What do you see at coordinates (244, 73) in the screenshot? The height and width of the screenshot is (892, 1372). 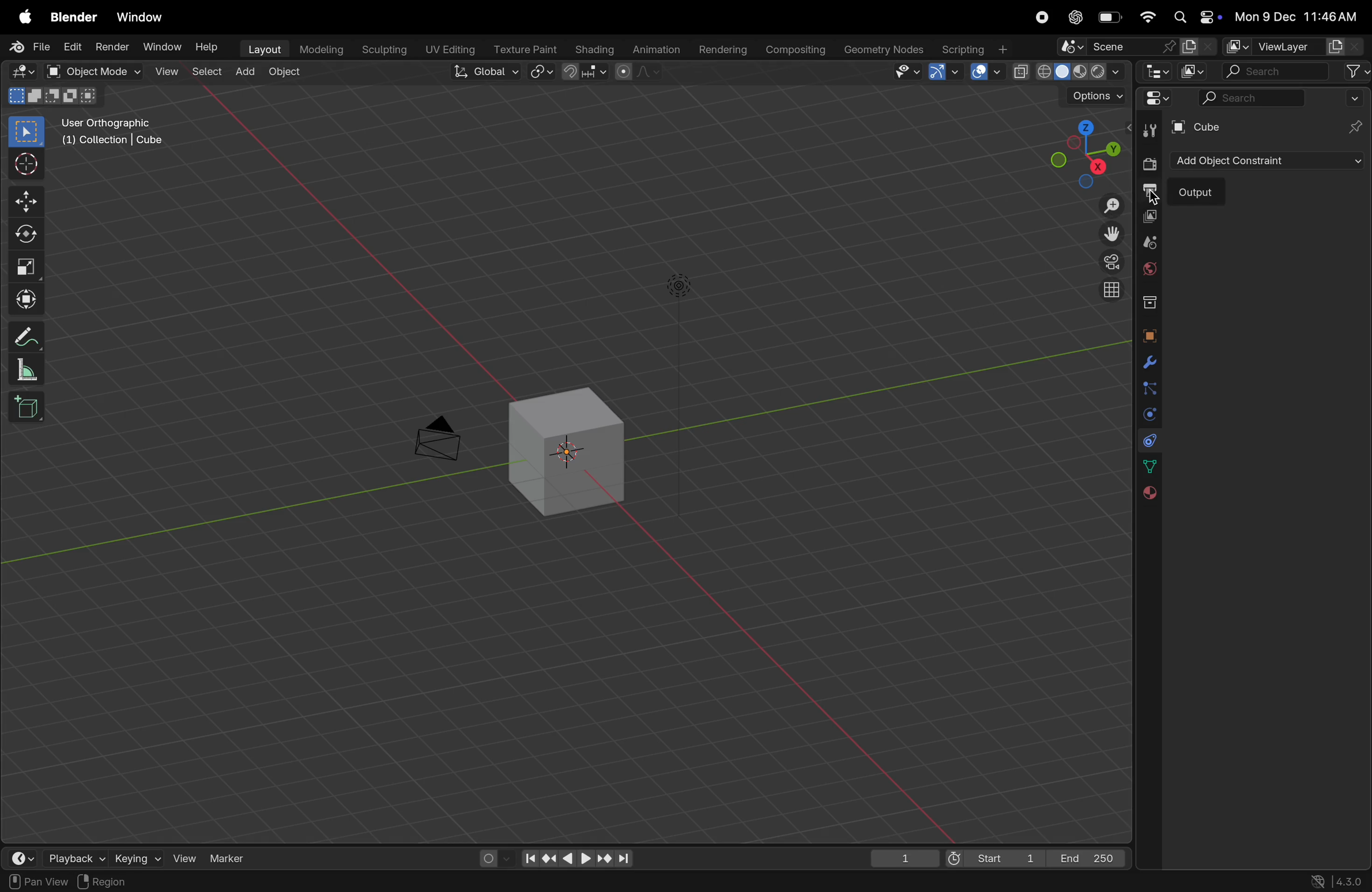 I see `add` at bounding box center [244, 73].